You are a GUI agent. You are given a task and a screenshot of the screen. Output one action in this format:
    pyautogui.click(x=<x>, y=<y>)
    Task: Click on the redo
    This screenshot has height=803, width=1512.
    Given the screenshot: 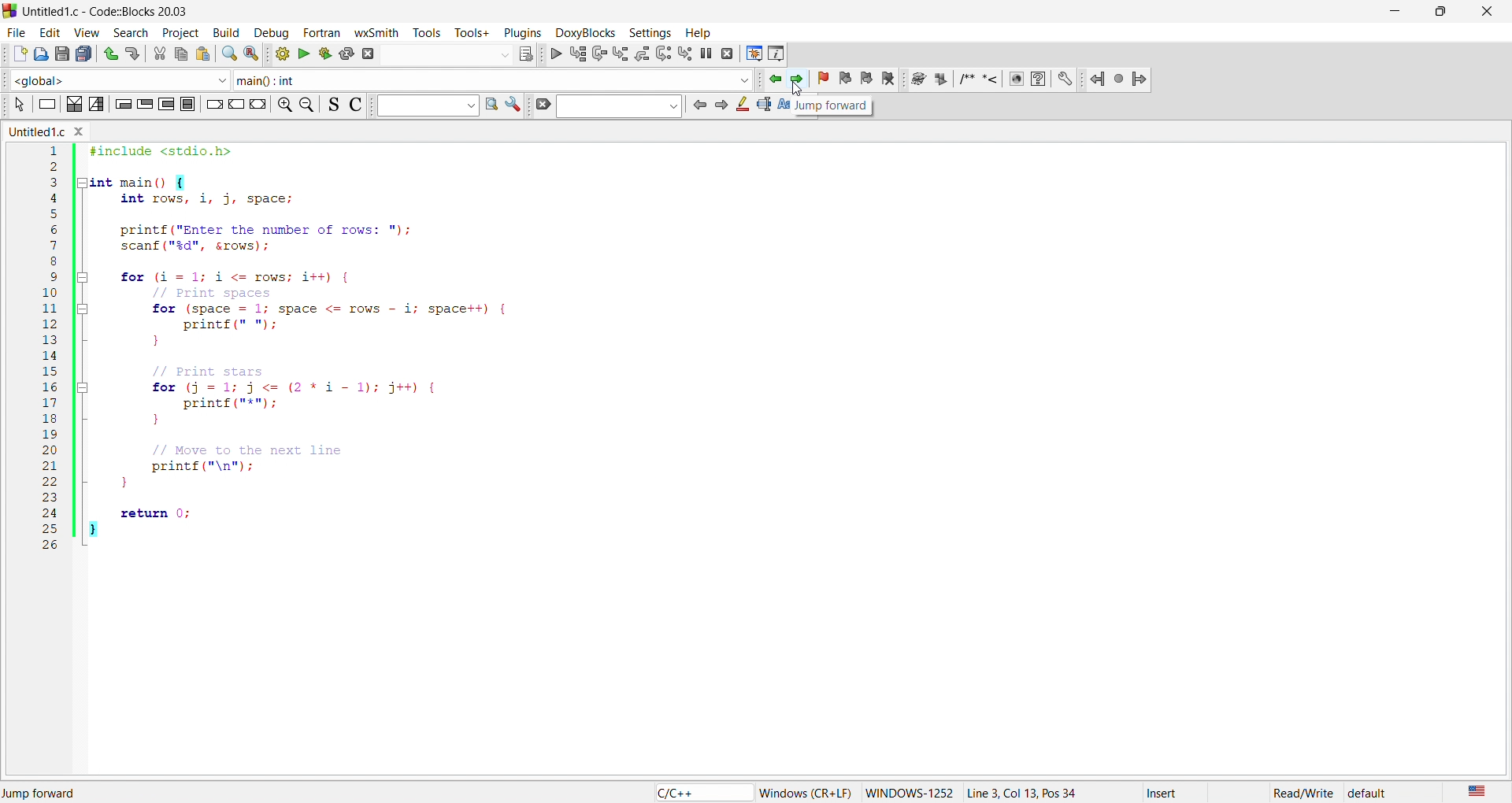 What is the action you would take?
    pyautogui.click(x=130, y=54)
    